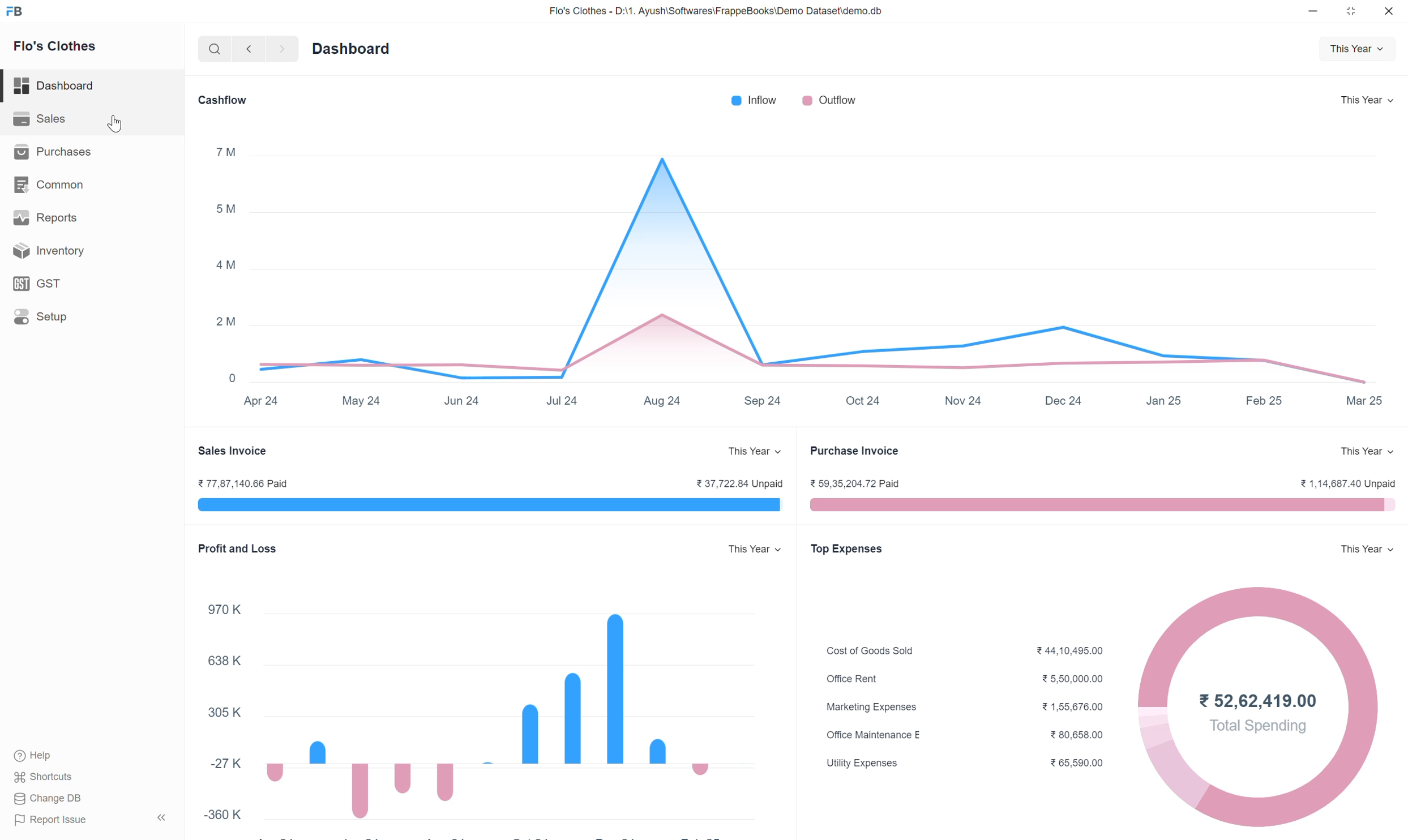  I want to click on Jun 24, so click(464, 402).